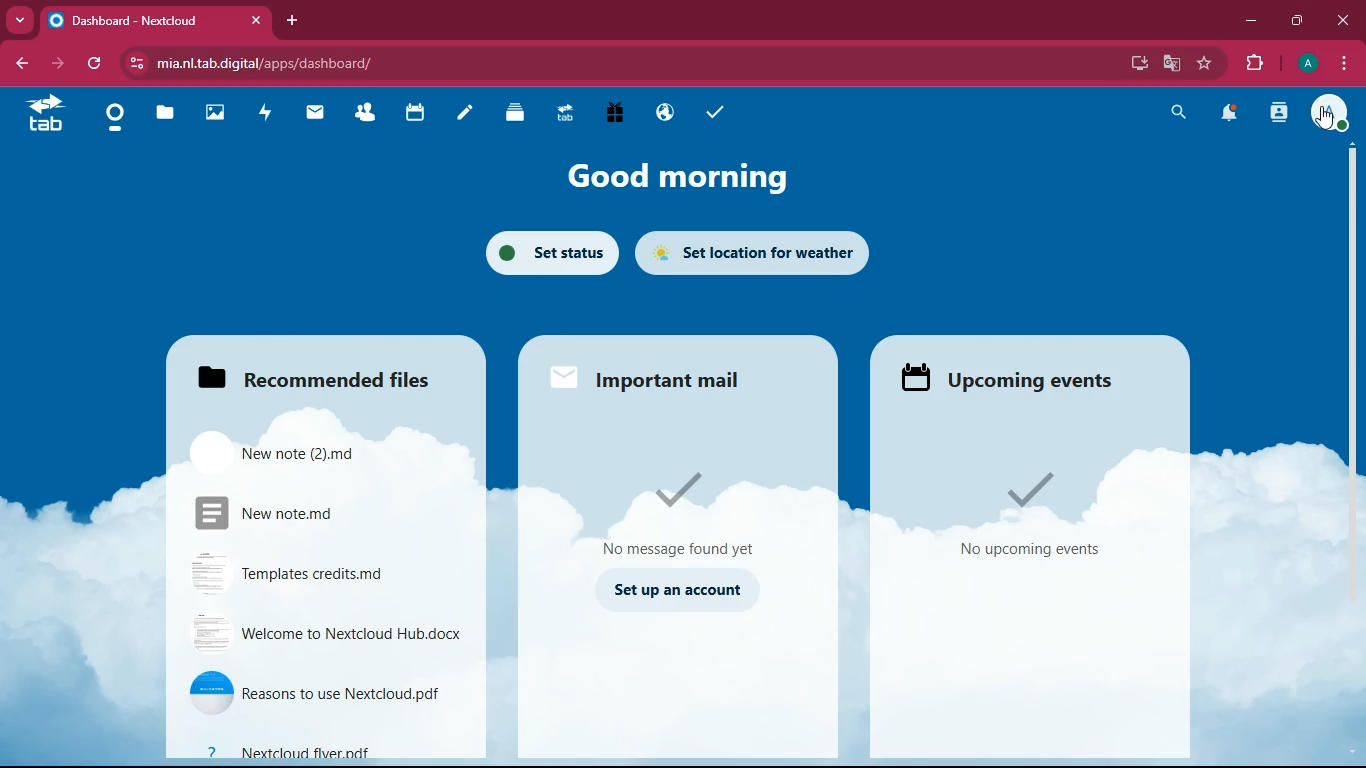 This screenshot has width=1366, height=768. I want to click on public, so click(662, 114).